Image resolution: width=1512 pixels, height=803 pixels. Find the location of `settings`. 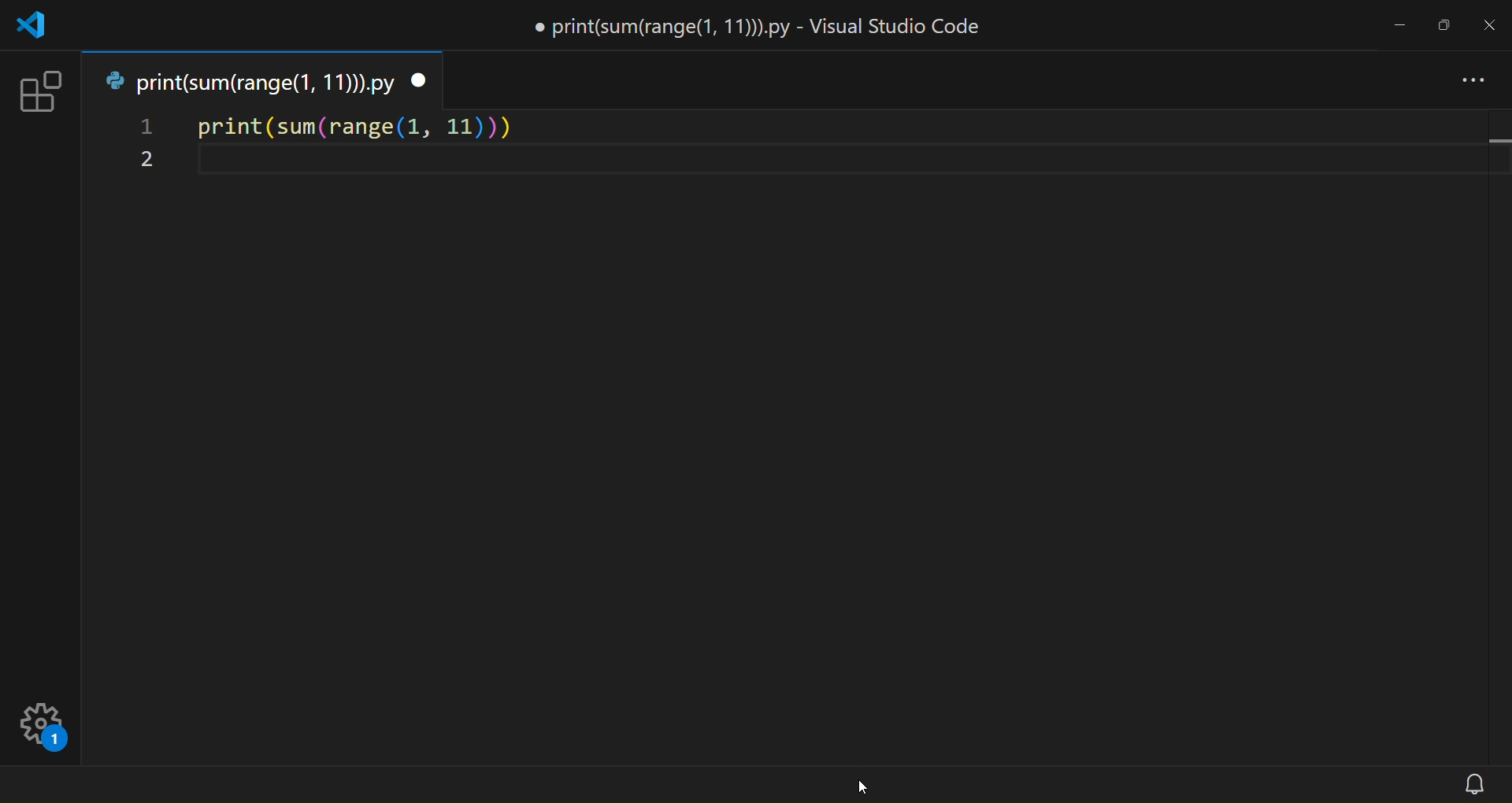

settings is located at coordinates (56, 711).